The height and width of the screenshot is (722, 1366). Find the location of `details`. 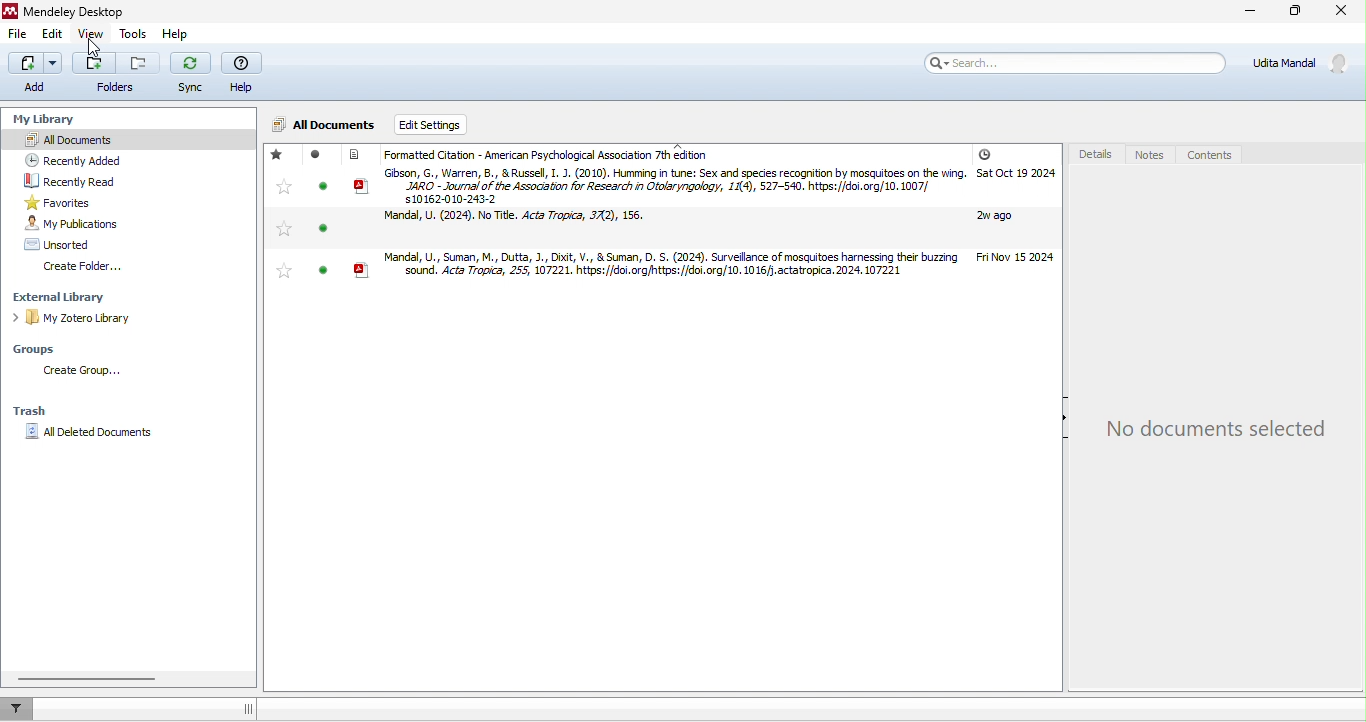

details is located at coordinates (1093, 156).